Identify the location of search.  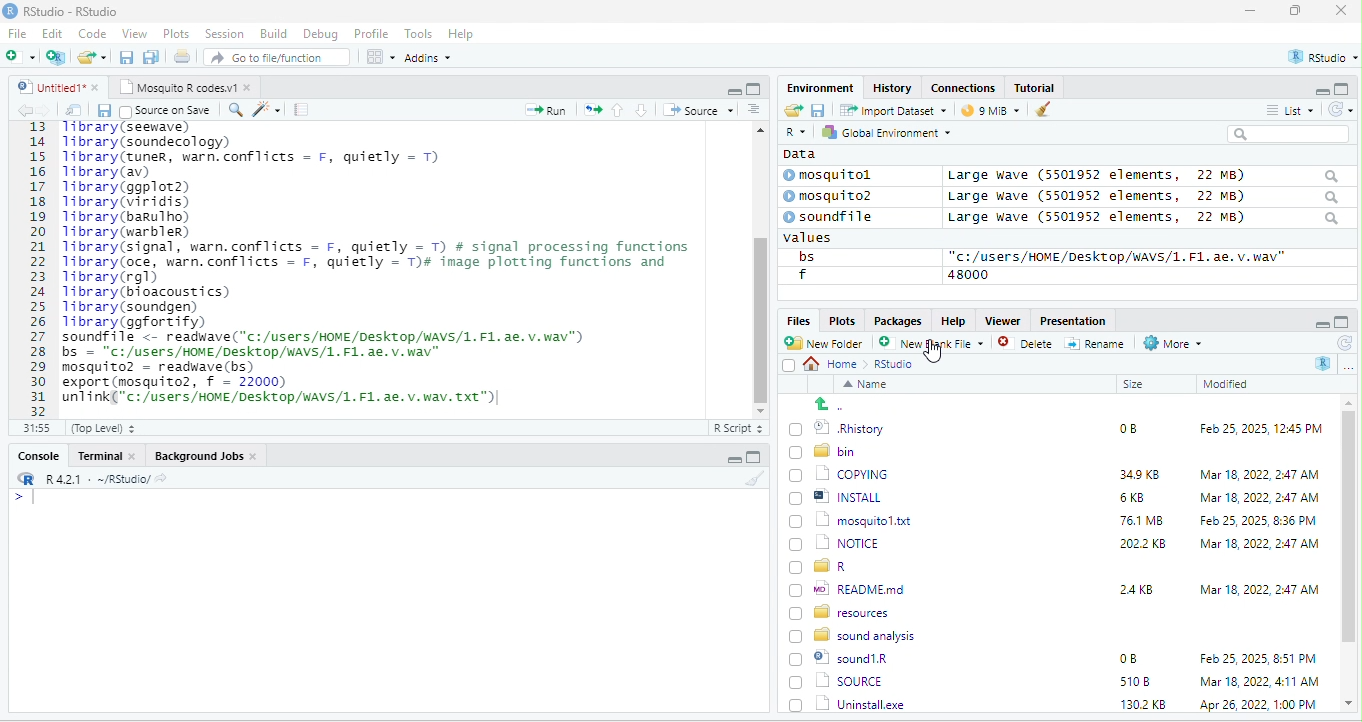
(235, 108).